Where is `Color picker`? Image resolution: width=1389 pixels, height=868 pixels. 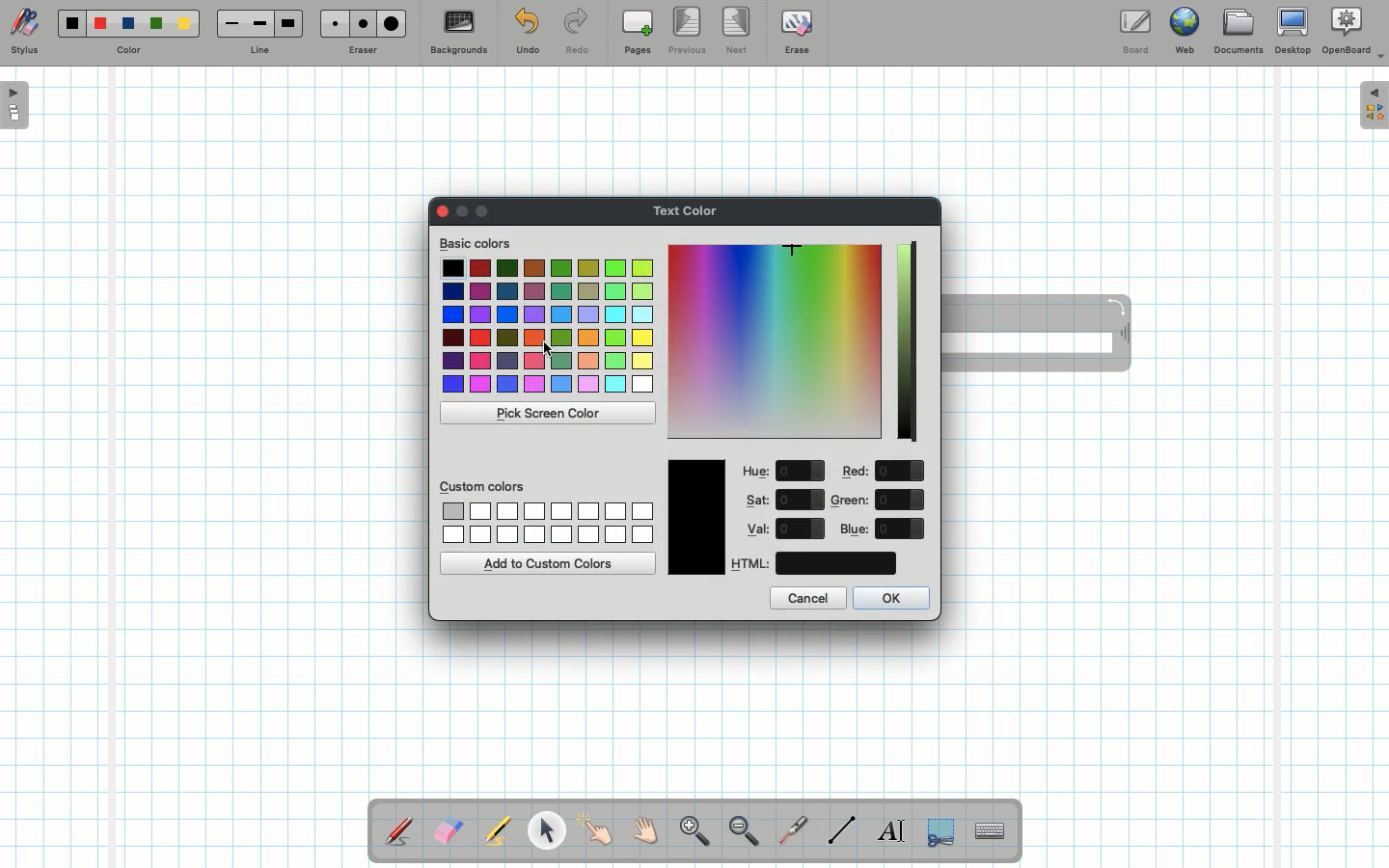 Color picker is located at coordinates (775, 341).